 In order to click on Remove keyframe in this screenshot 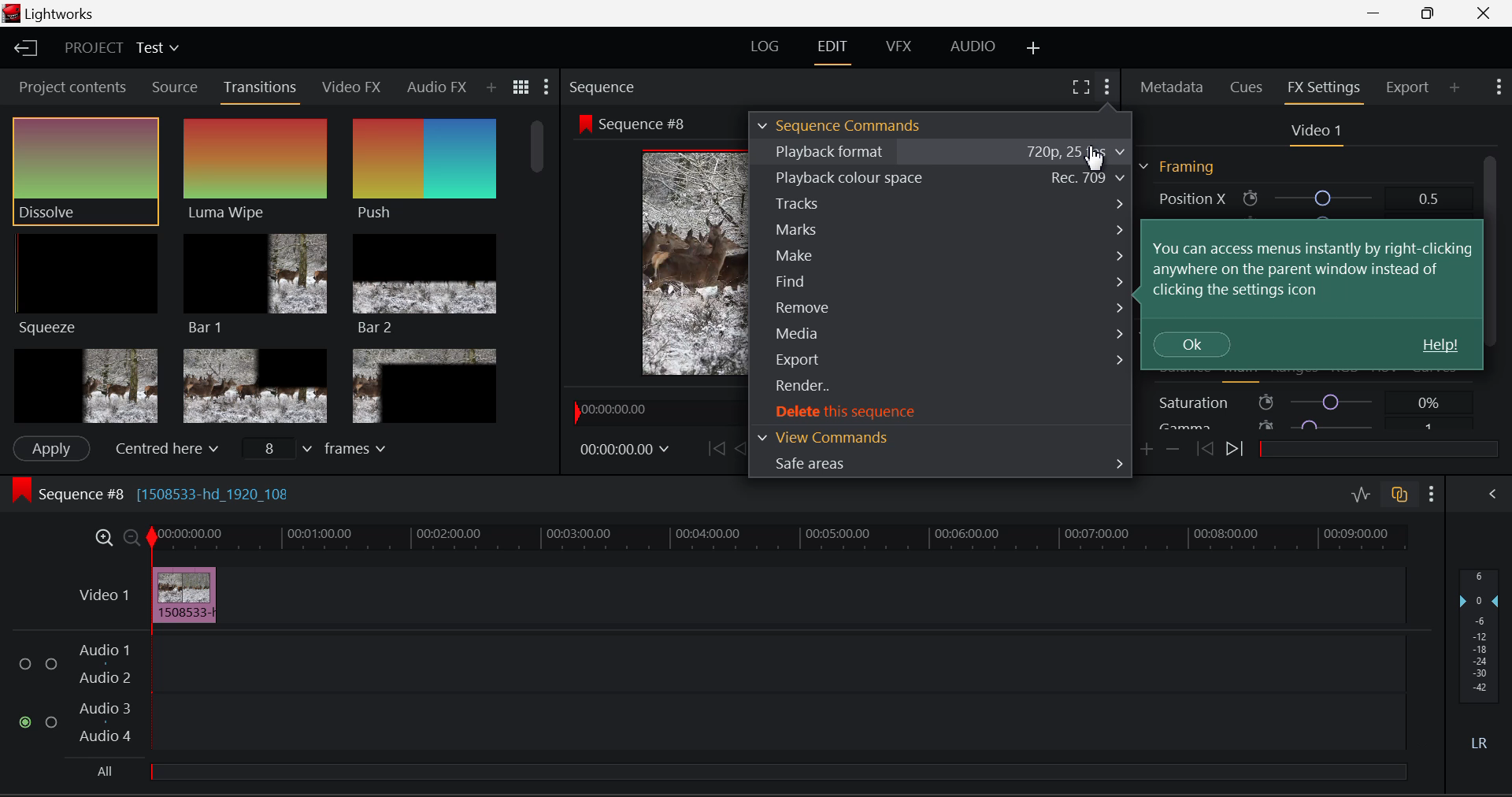, I will do `click(1173, 450)`.